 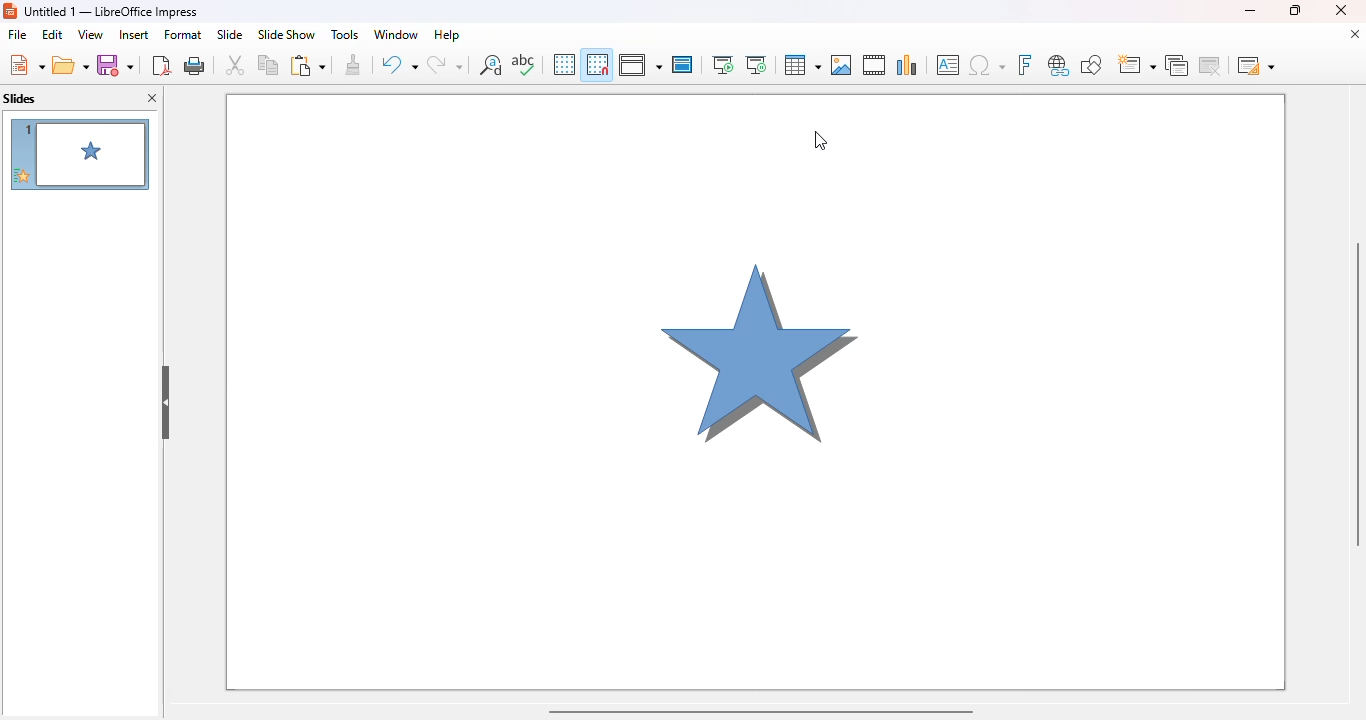 I want to click on new slide, so click(x=1136, y=66).